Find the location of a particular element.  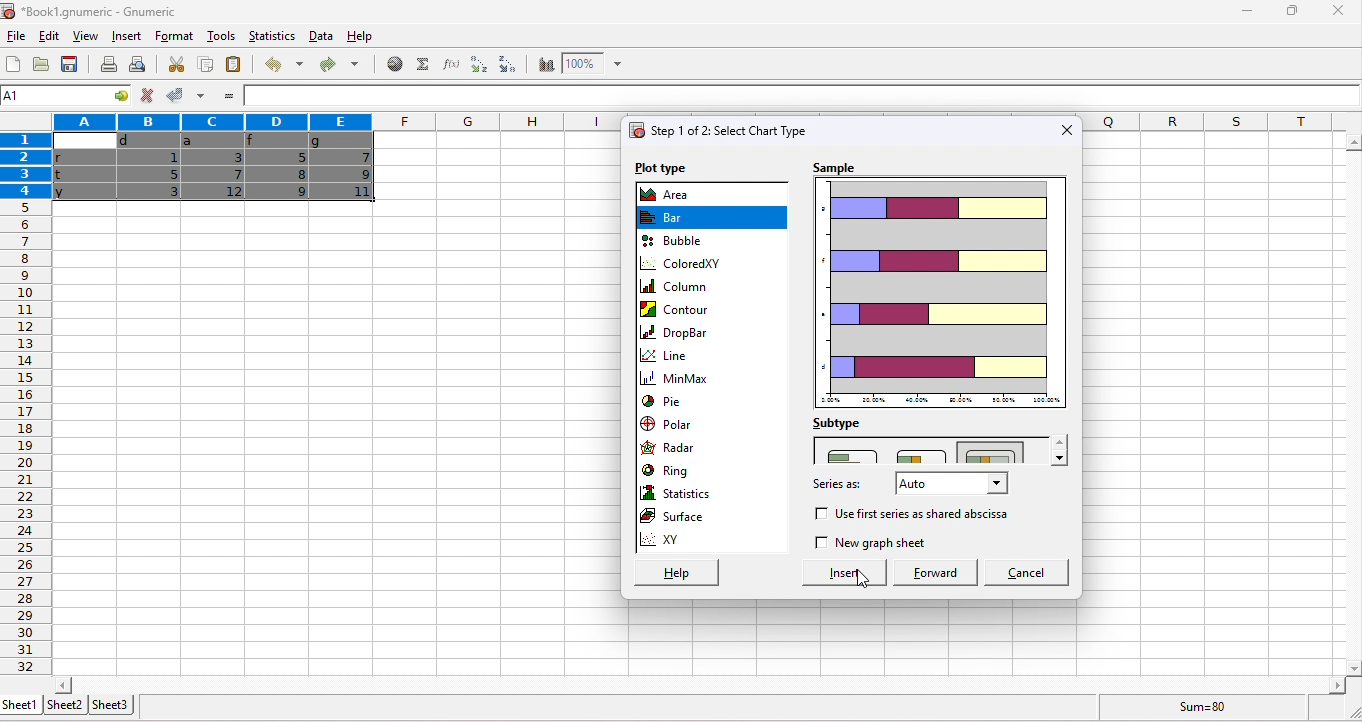

 is located at coordinates (684, 495).